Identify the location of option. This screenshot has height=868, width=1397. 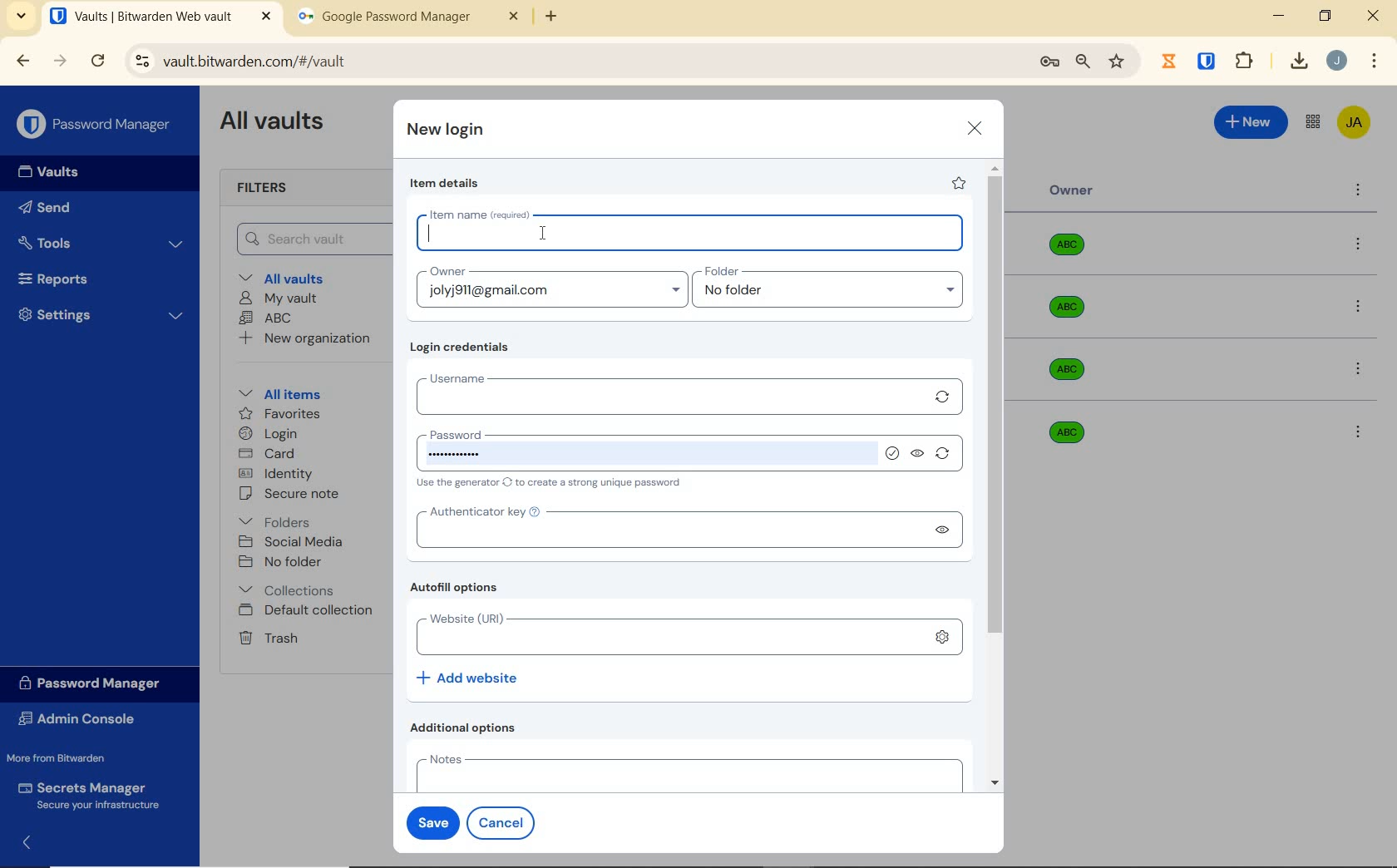
(1361, 308).